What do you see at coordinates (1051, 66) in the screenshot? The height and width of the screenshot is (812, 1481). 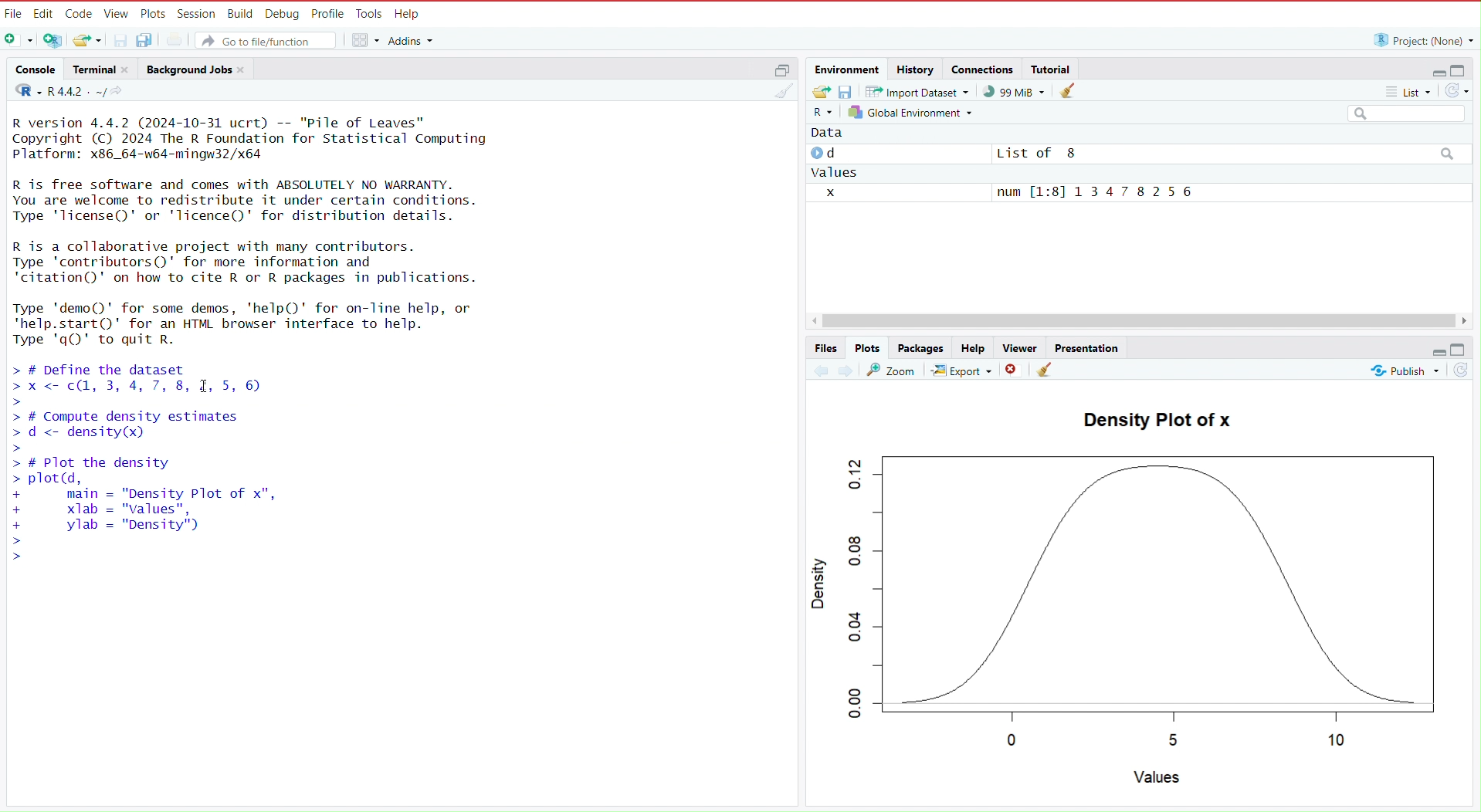 I see `tutorial` at bounding box center [1051, 66].